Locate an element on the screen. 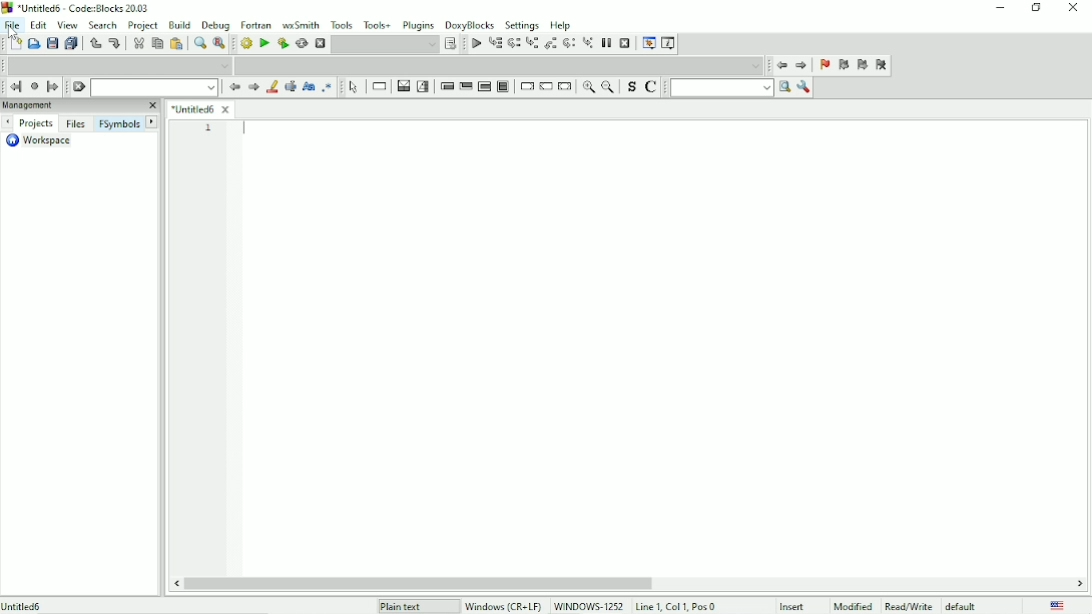 The height and width of the screenshot is (614, 1092). Toggle bookmark is located at coordinates (825, 66).